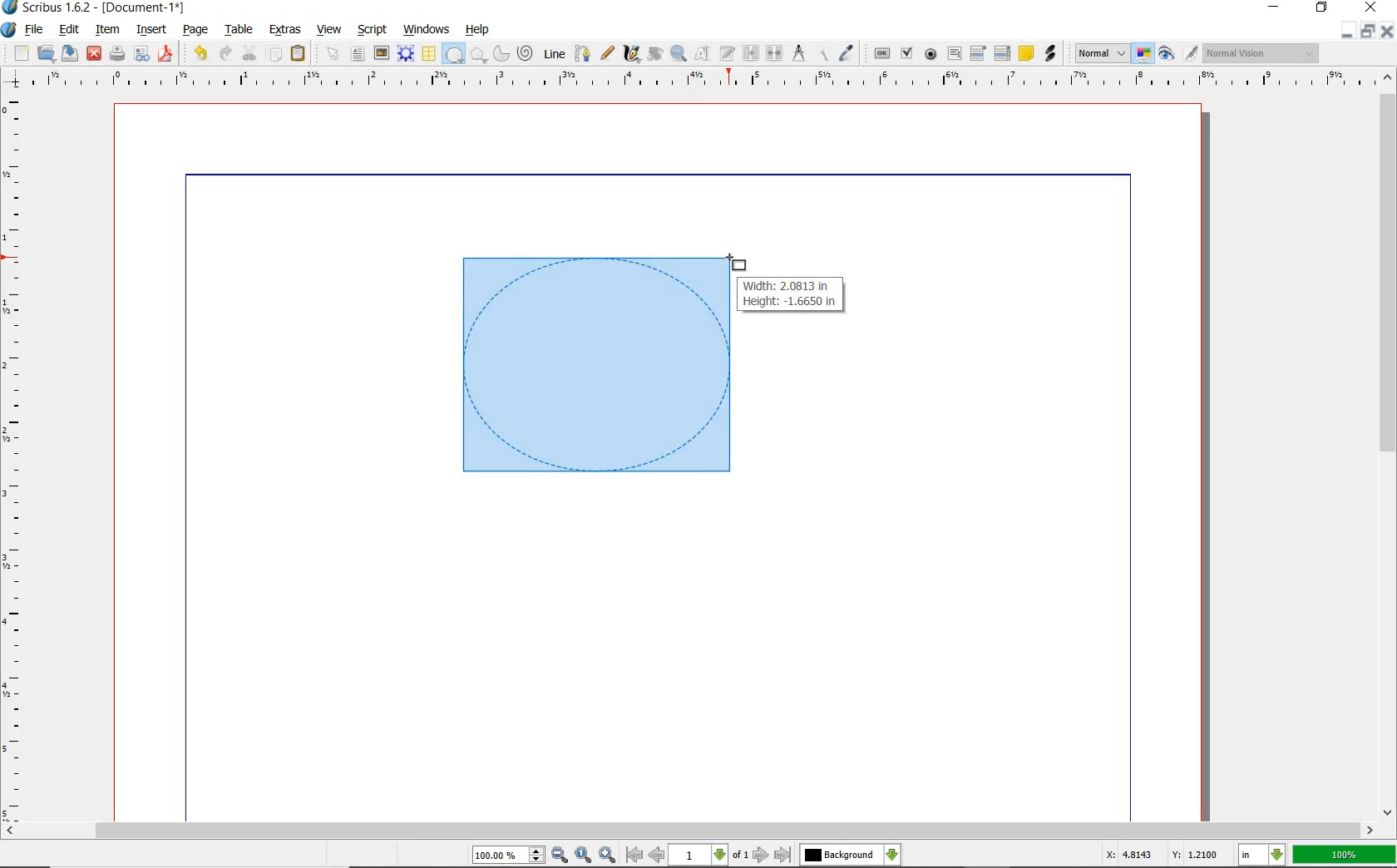  I want to click on NEW, so click(21, 53).